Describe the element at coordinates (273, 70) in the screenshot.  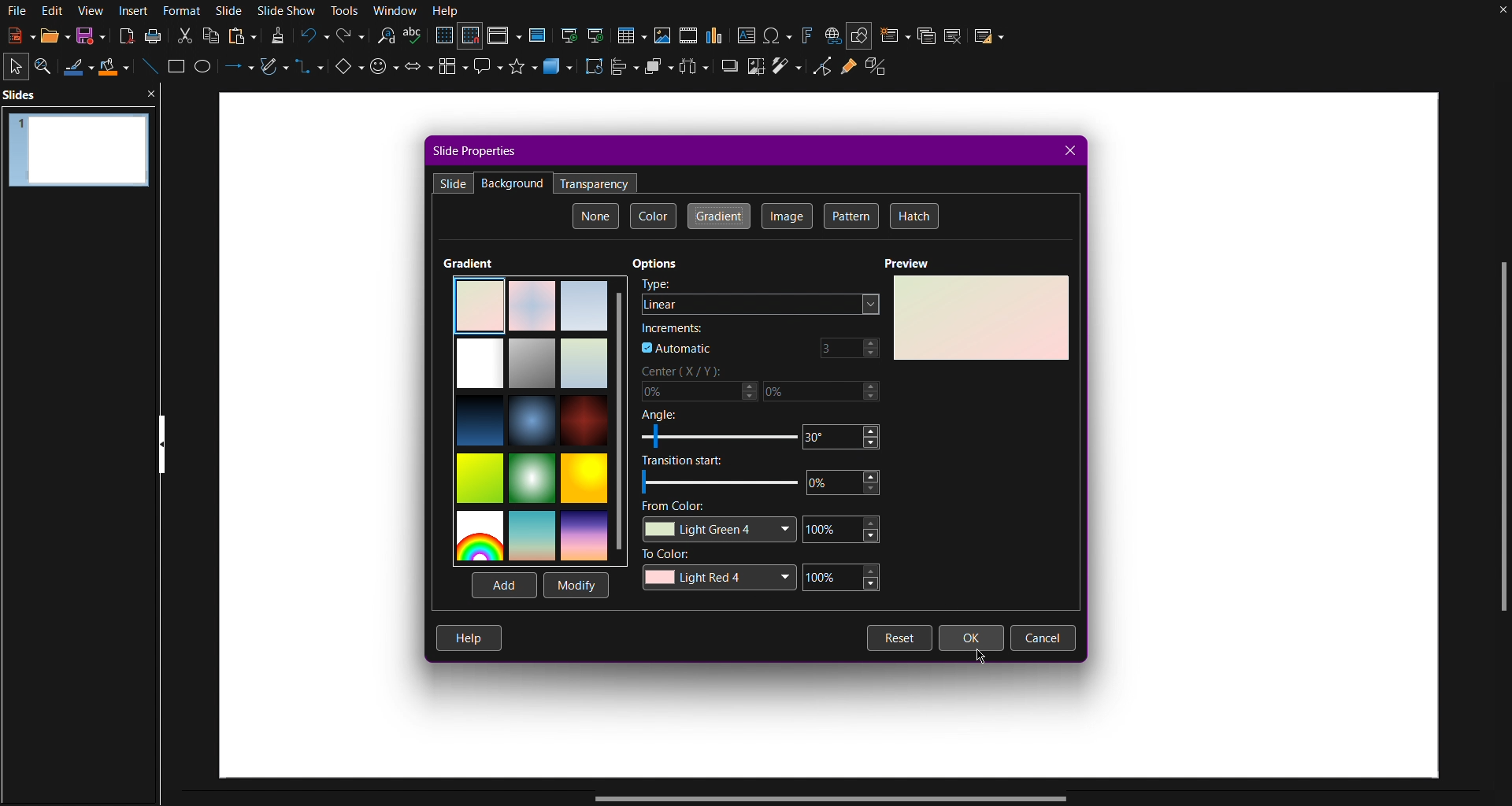
I see `Vectors` at that location.